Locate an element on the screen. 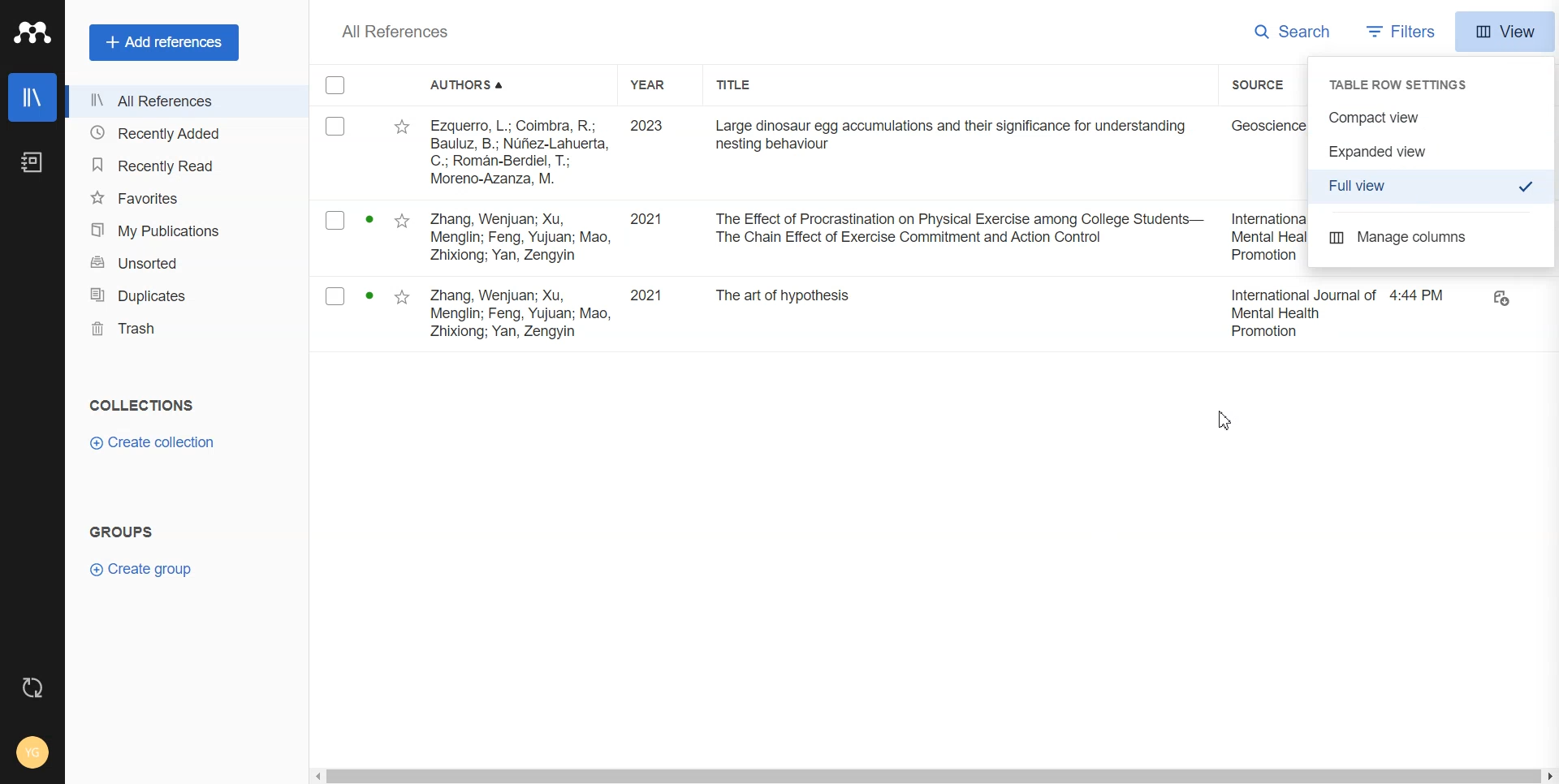 The height and width of the screenshot is (784, 1559). Library is located at coordinates (32, 97).